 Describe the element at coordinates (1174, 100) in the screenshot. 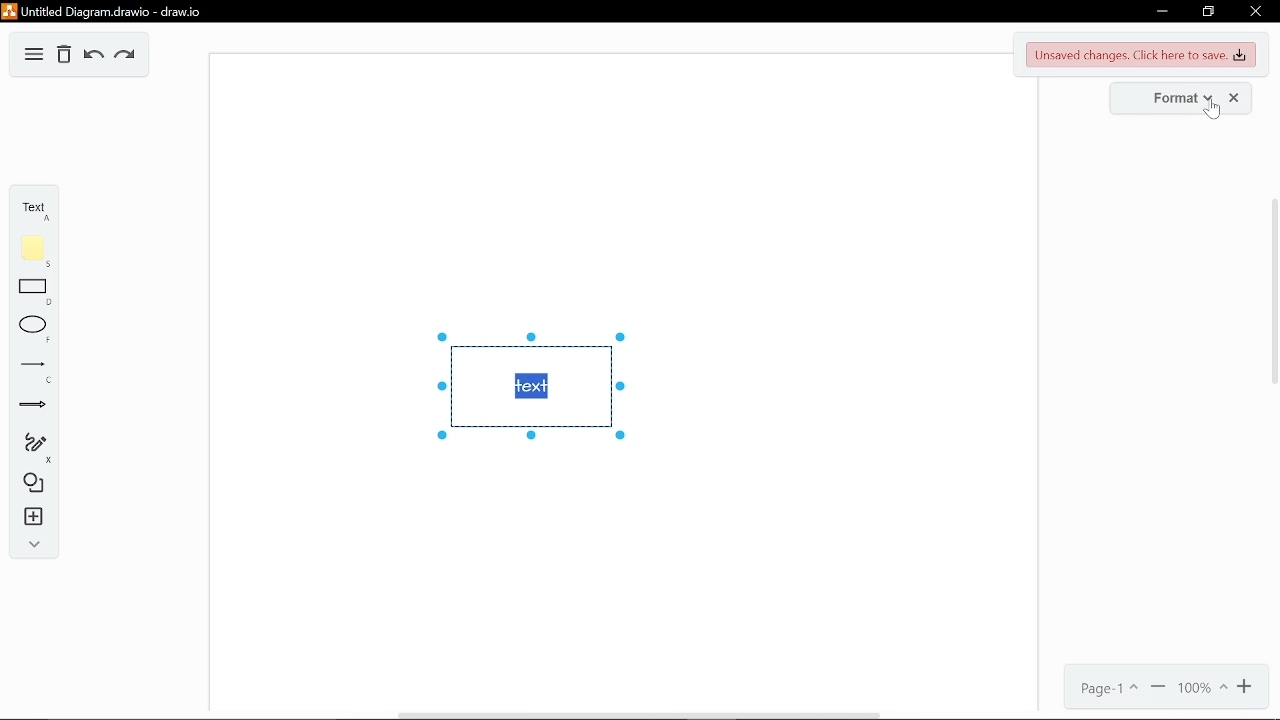

I see `format` at that location.